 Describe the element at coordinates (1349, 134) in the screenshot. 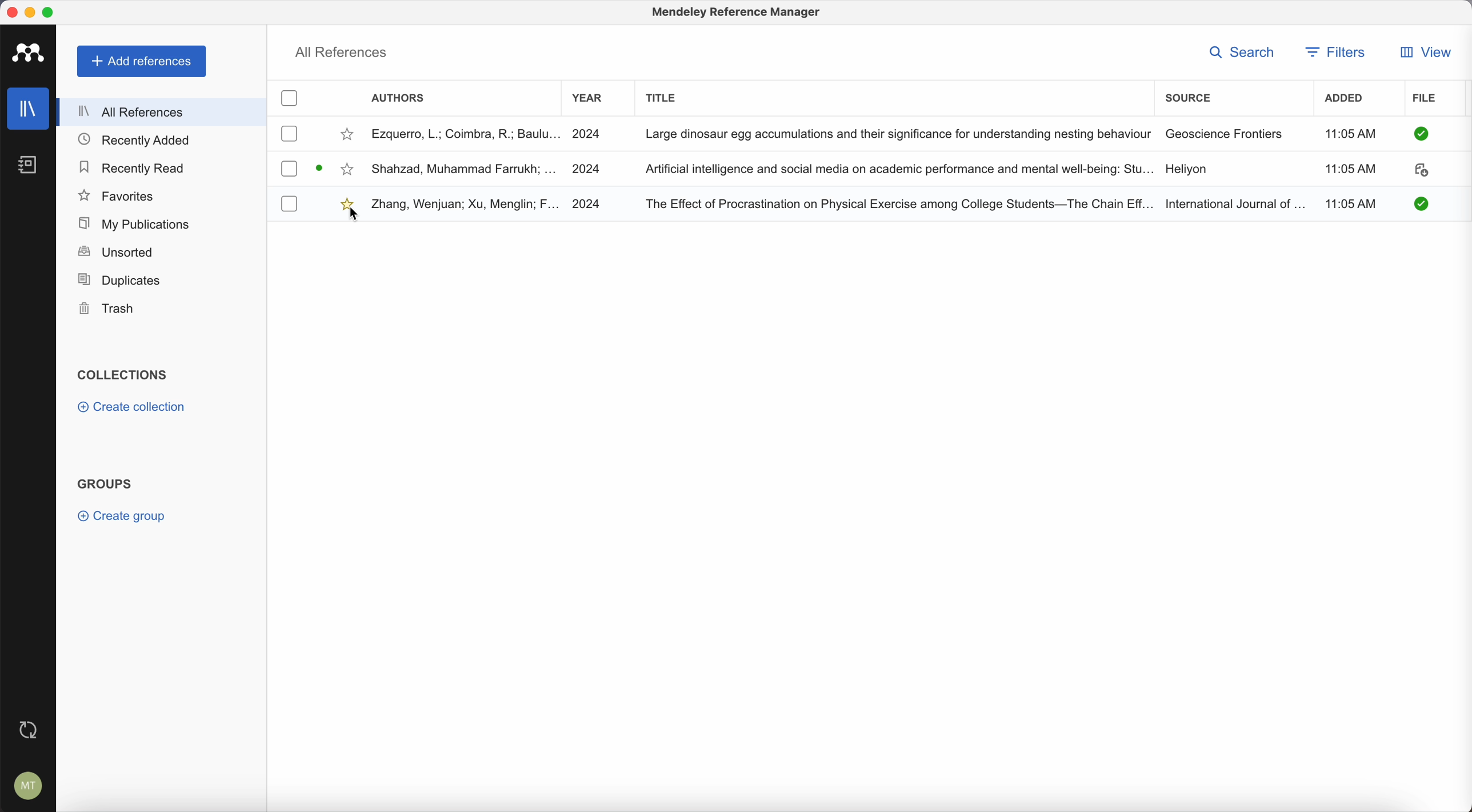

I see `11:05 AM` at that location.